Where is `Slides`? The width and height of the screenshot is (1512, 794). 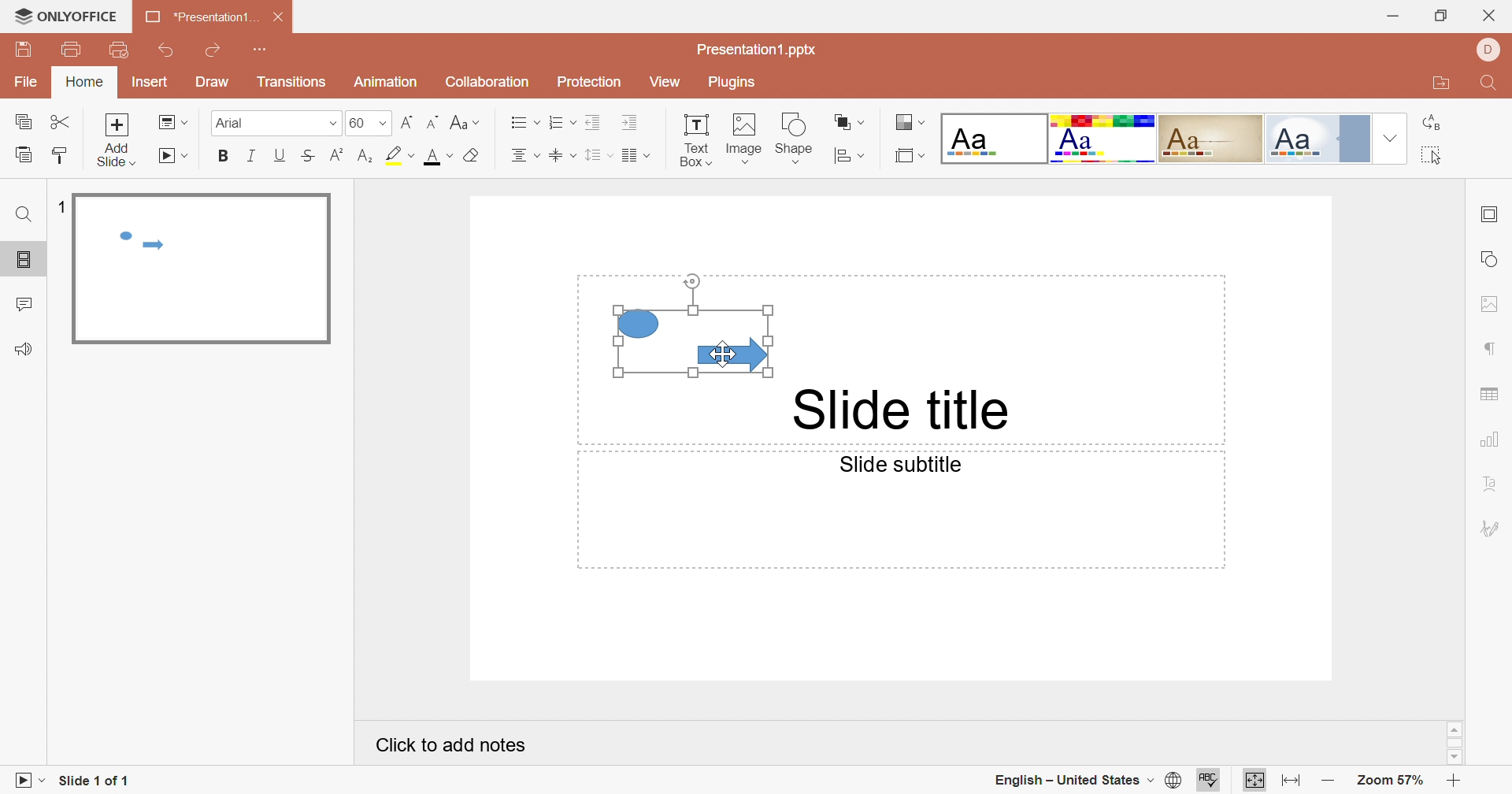 Slides is located at coordinates (22, 258).